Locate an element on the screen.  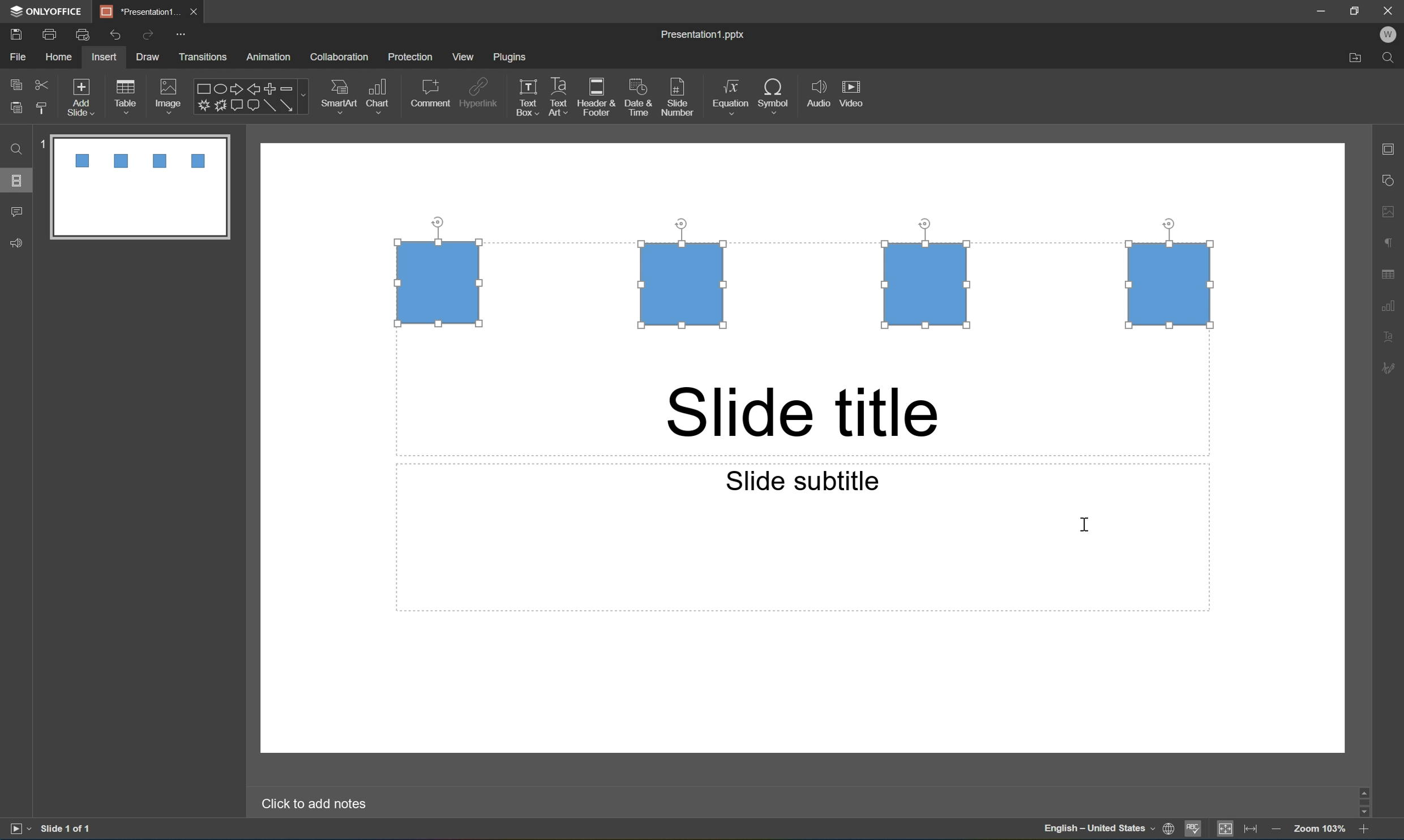
image settings is located at coordinates (1393, 213).